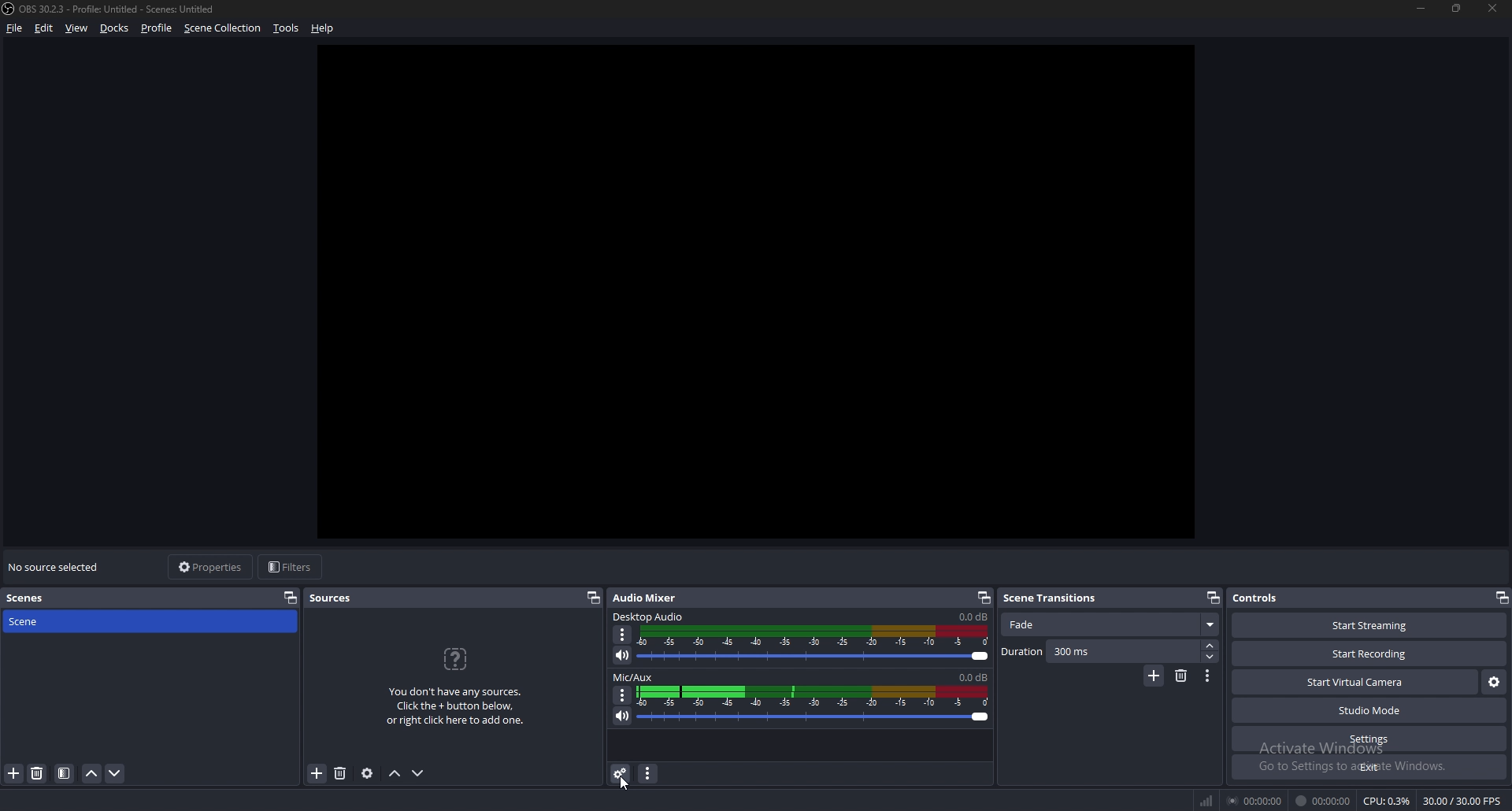  What do you see at coordinates (285, 29) in the screenshot?
I see `tools` at bounding box center [285, 29].